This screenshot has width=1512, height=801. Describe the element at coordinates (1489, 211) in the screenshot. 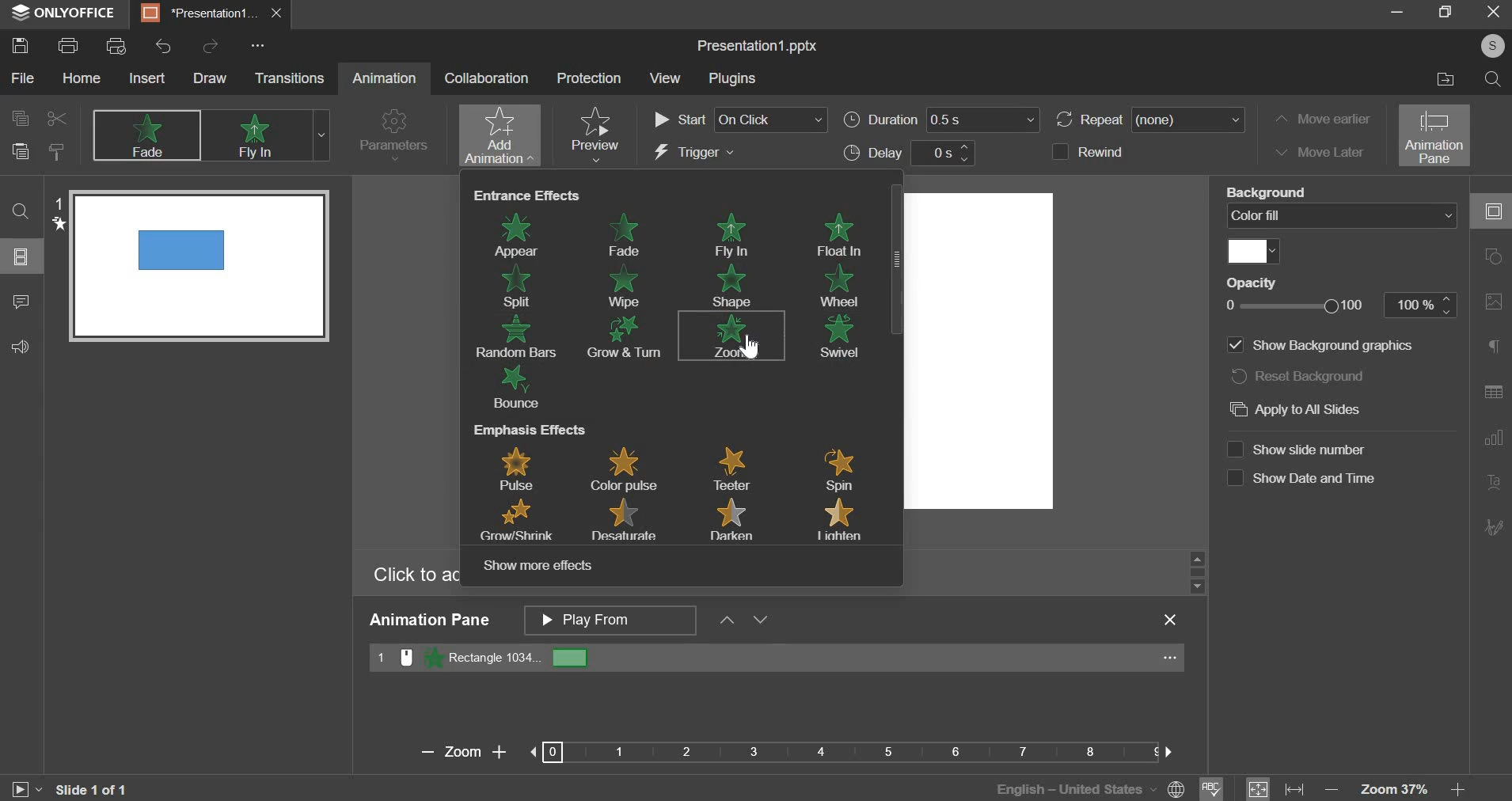

I see `collapse/expand panel` at that location.